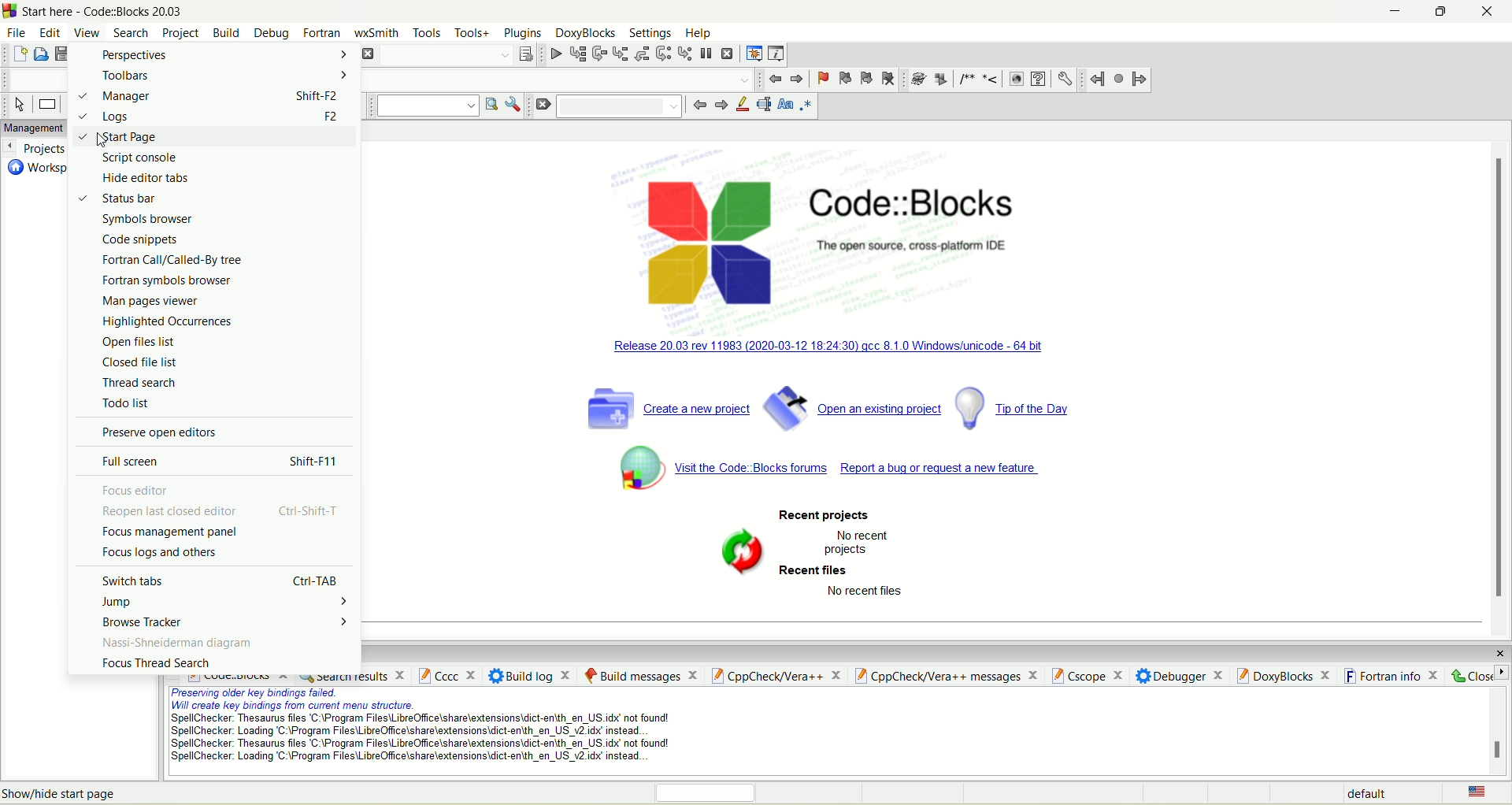 The height and width of the screenshot is (805, 1512). Describe the element at coordinates (698, 108) in the screenshot. I see `previous` at that location.